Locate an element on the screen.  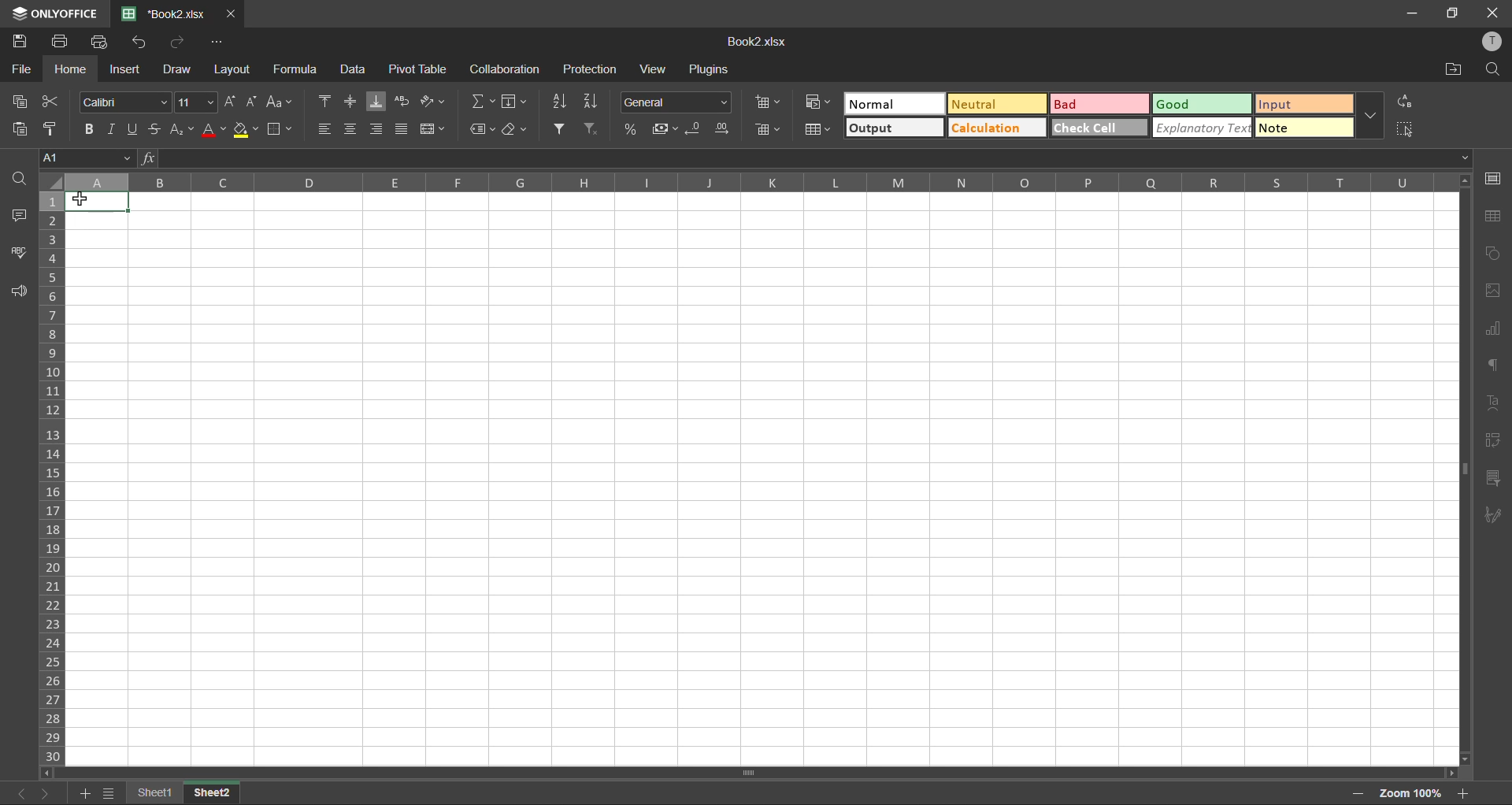
view is located at coordinates (654, 69).